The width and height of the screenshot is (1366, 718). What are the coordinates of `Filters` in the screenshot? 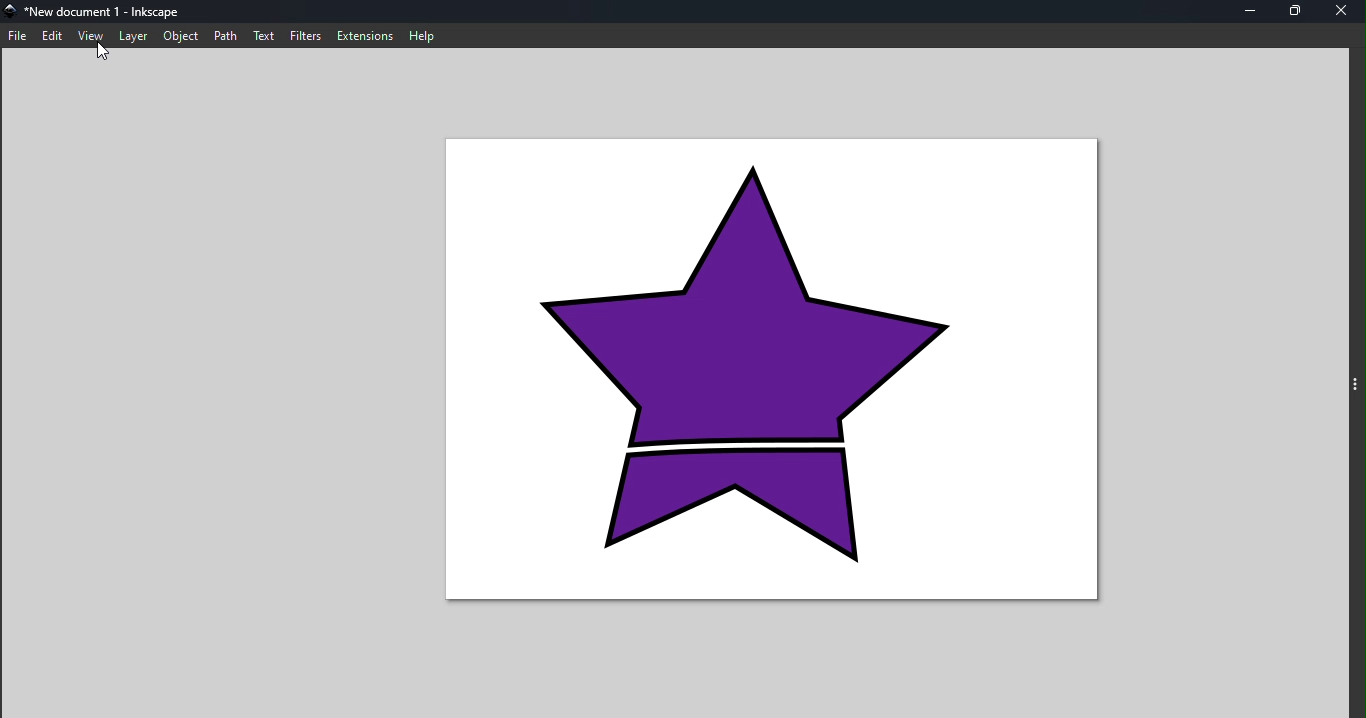 It's located at (305, 34).